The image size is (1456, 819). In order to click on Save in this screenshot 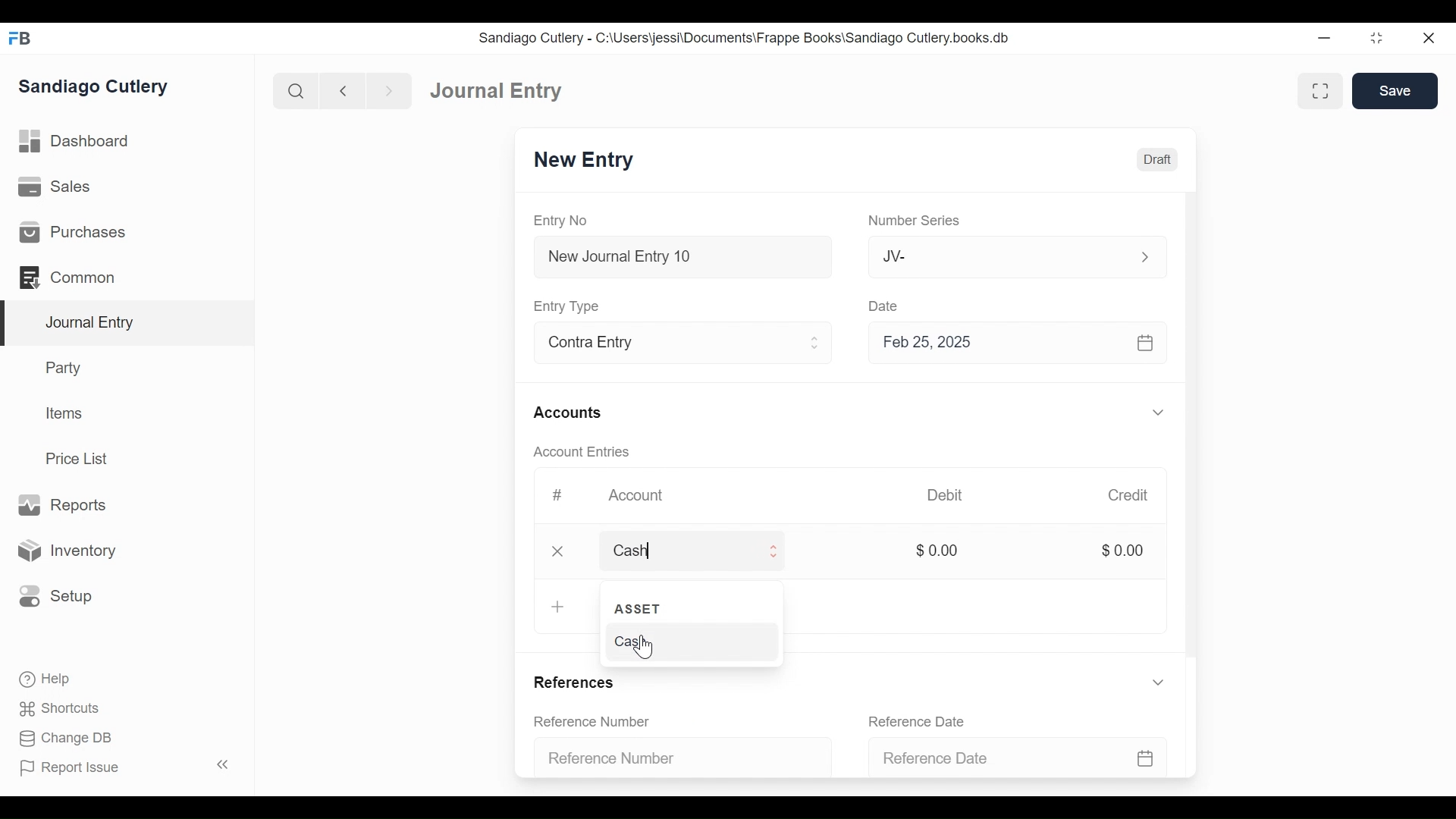, I will do `click(1395, 91)`.